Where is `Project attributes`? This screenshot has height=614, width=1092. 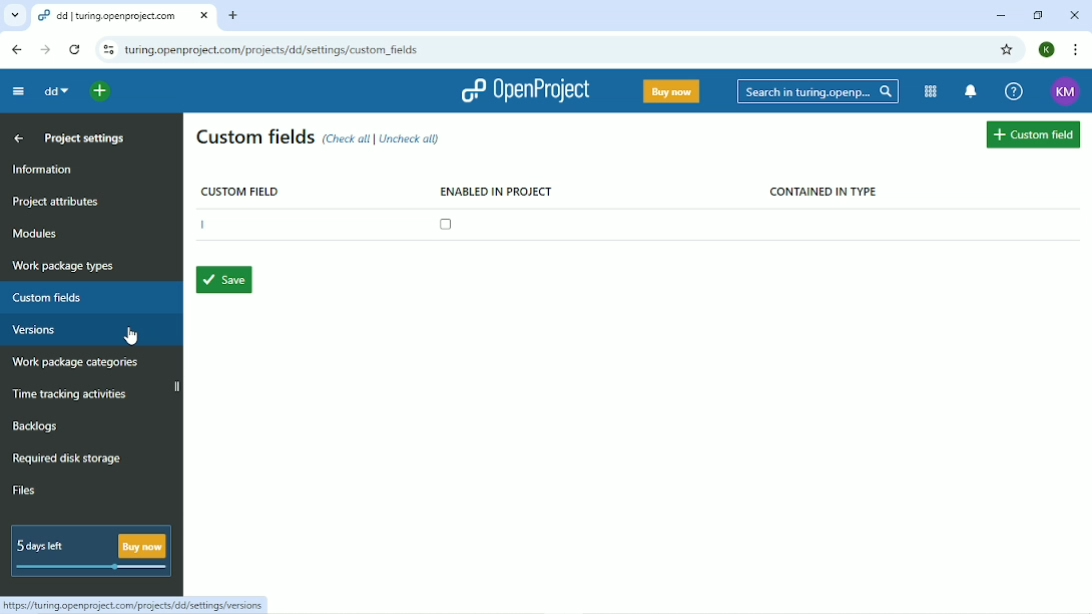 Project attributes is located at coordinates (59, 203).